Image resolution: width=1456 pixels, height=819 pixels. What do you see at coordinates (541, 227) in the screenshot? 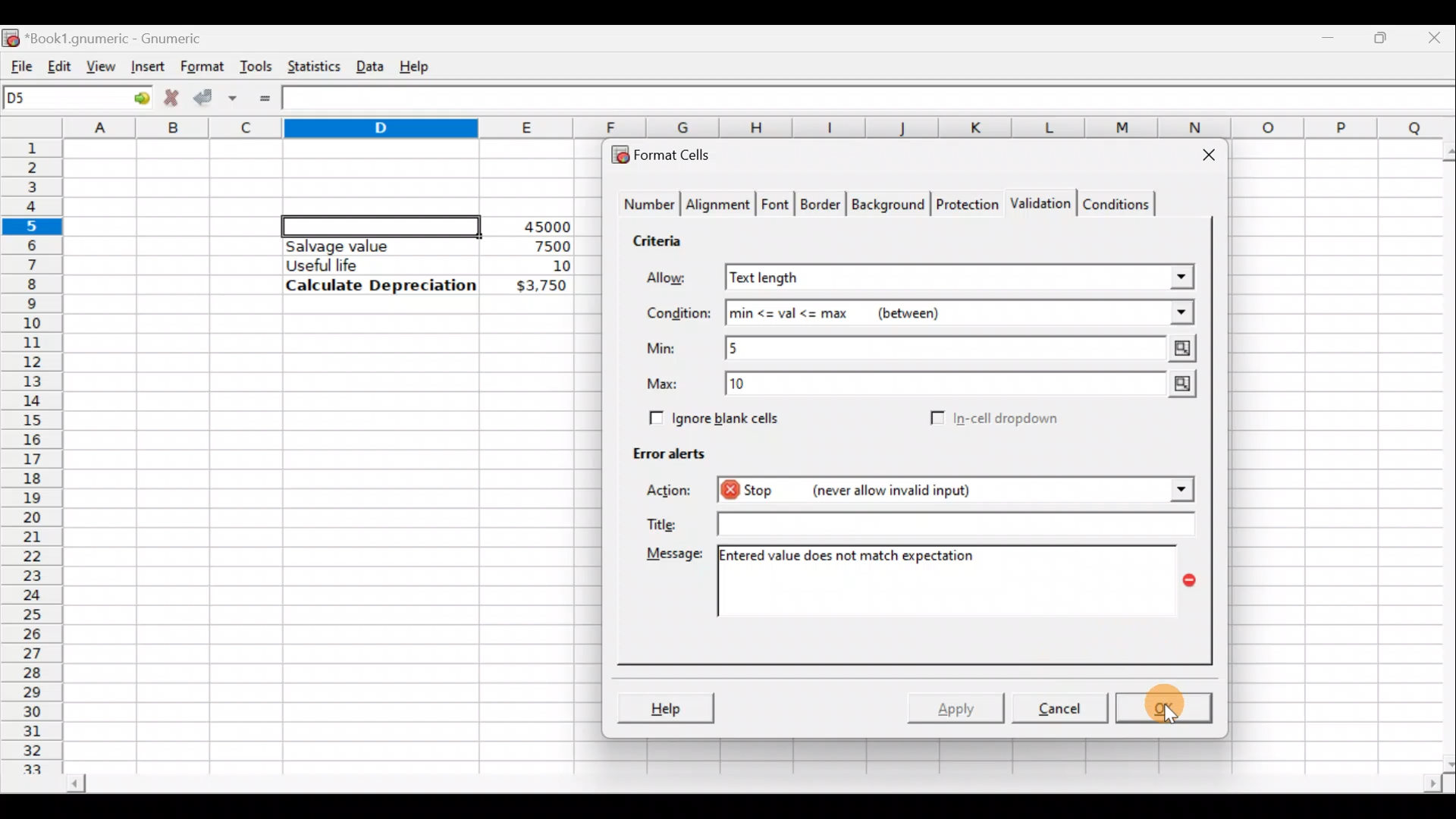
I see `45000` at bounding box center [541, 227].